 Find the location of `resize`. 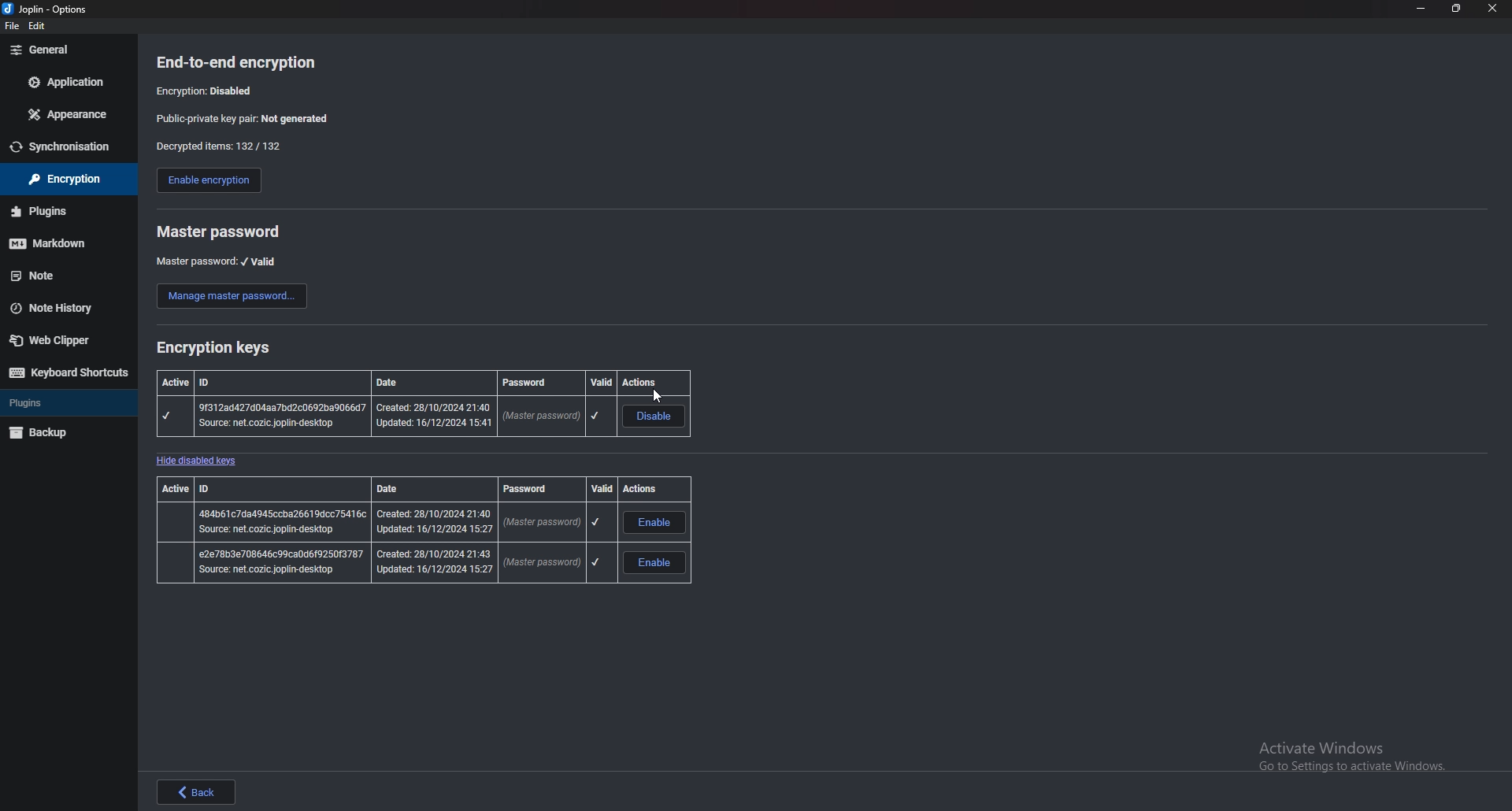

resize is located at coordinates (1456, 9).